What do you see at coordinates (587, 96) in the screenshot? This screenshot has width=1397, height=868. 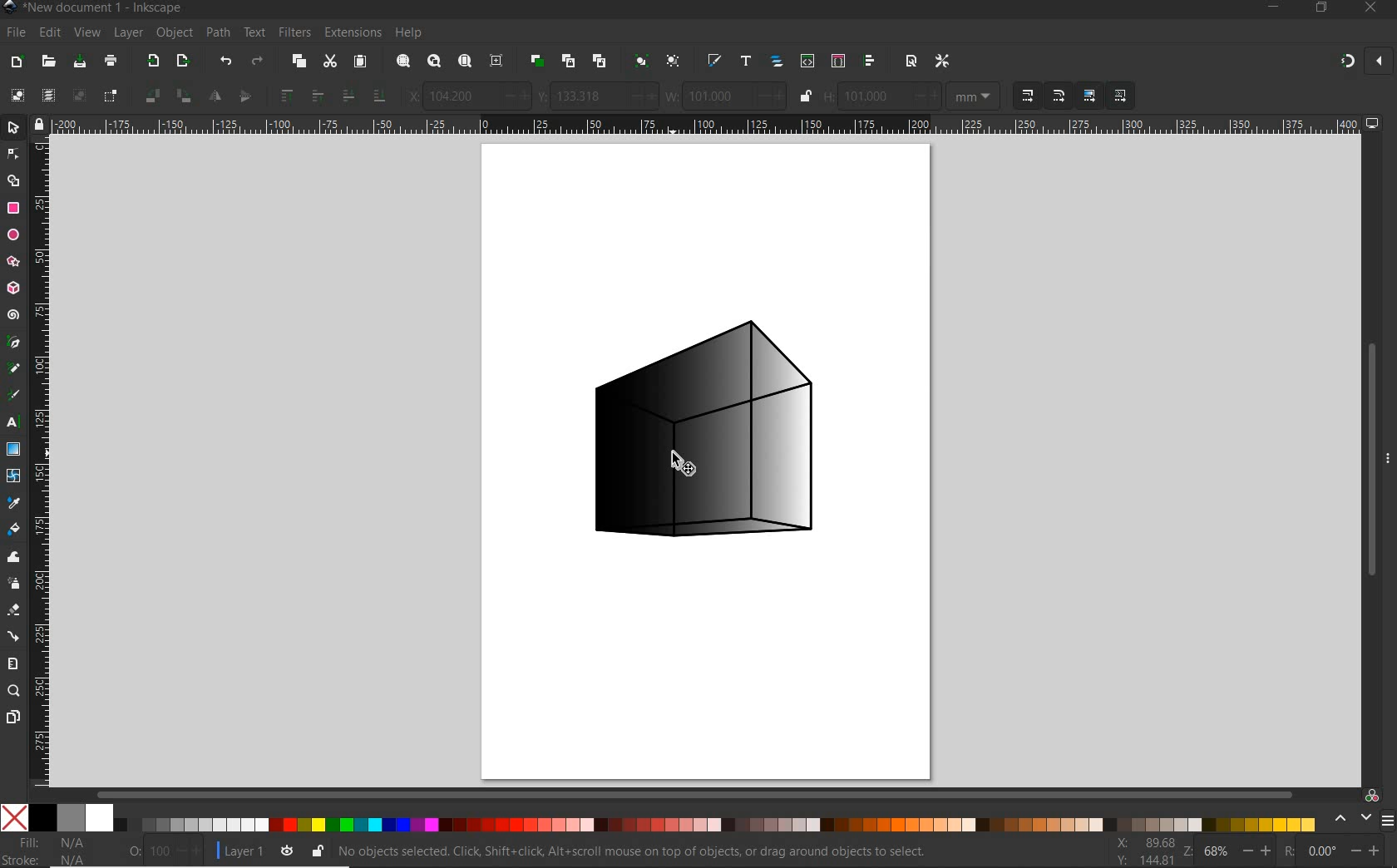 I see `133` at bounding box center [587, 96].